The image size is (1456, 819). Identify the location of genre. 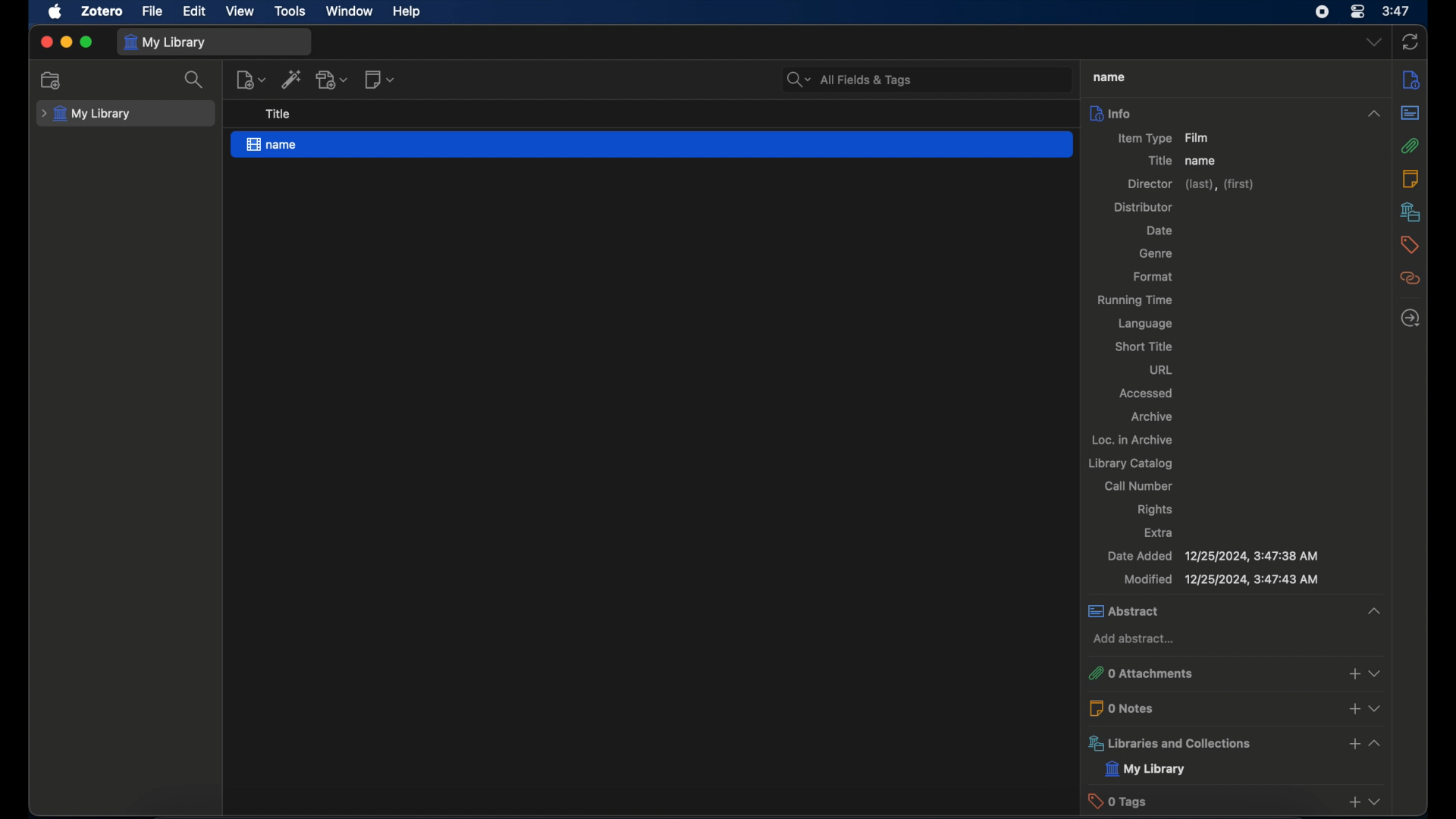
(1156, 253).